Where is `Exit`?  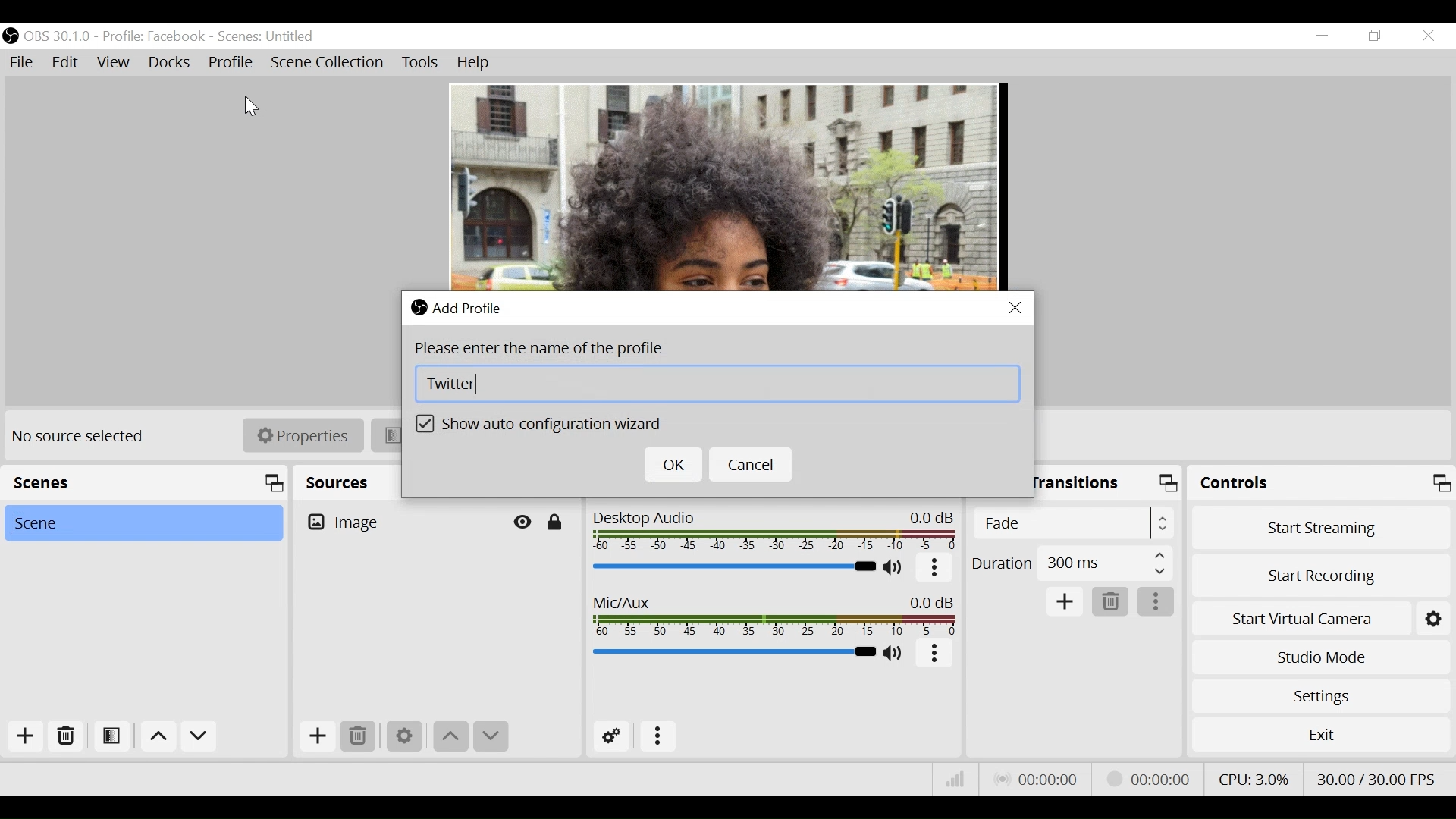 Exit is located at coordinates (1319, 734).